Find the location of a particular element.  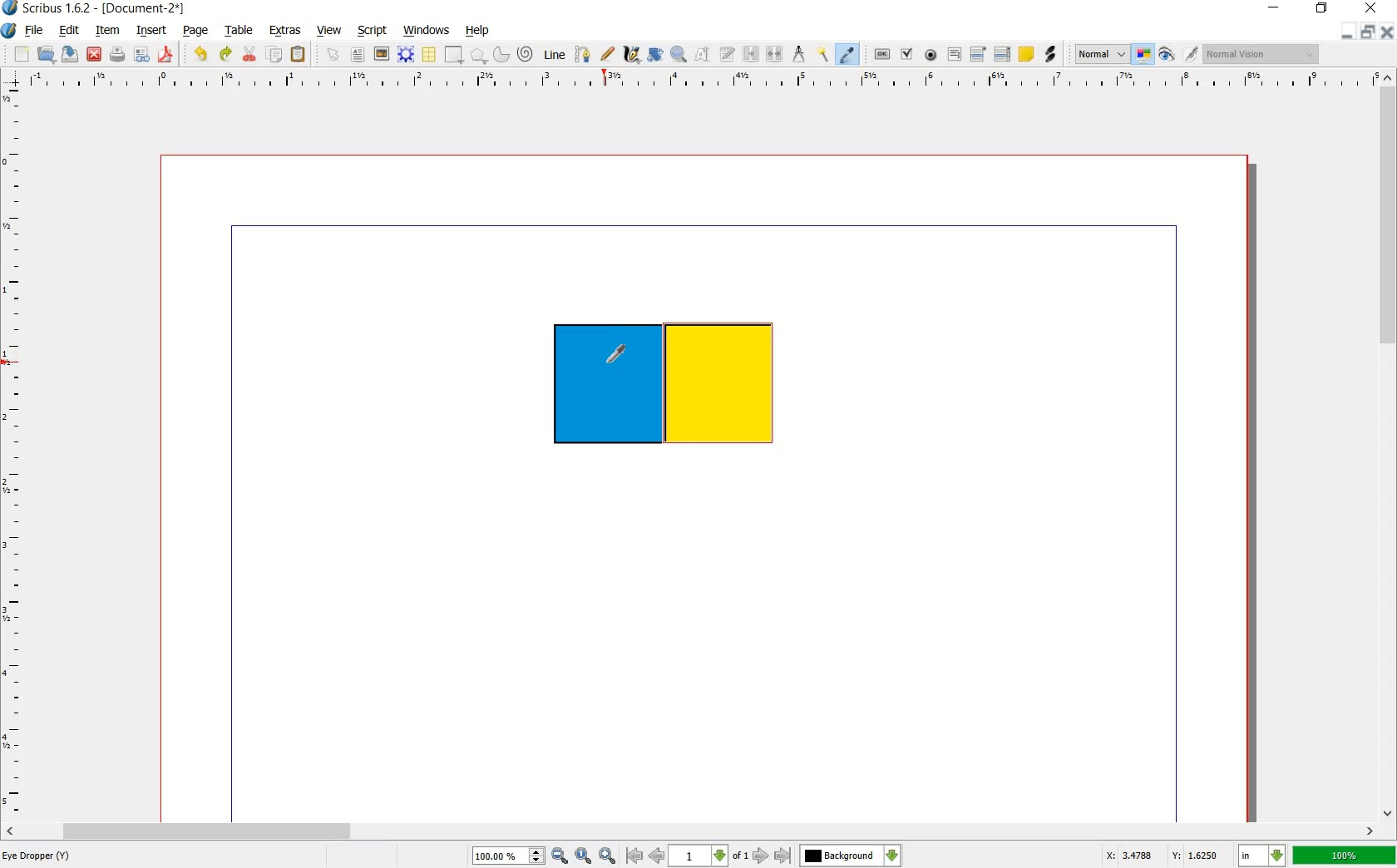

system logo is located at coordinates (10, 31).